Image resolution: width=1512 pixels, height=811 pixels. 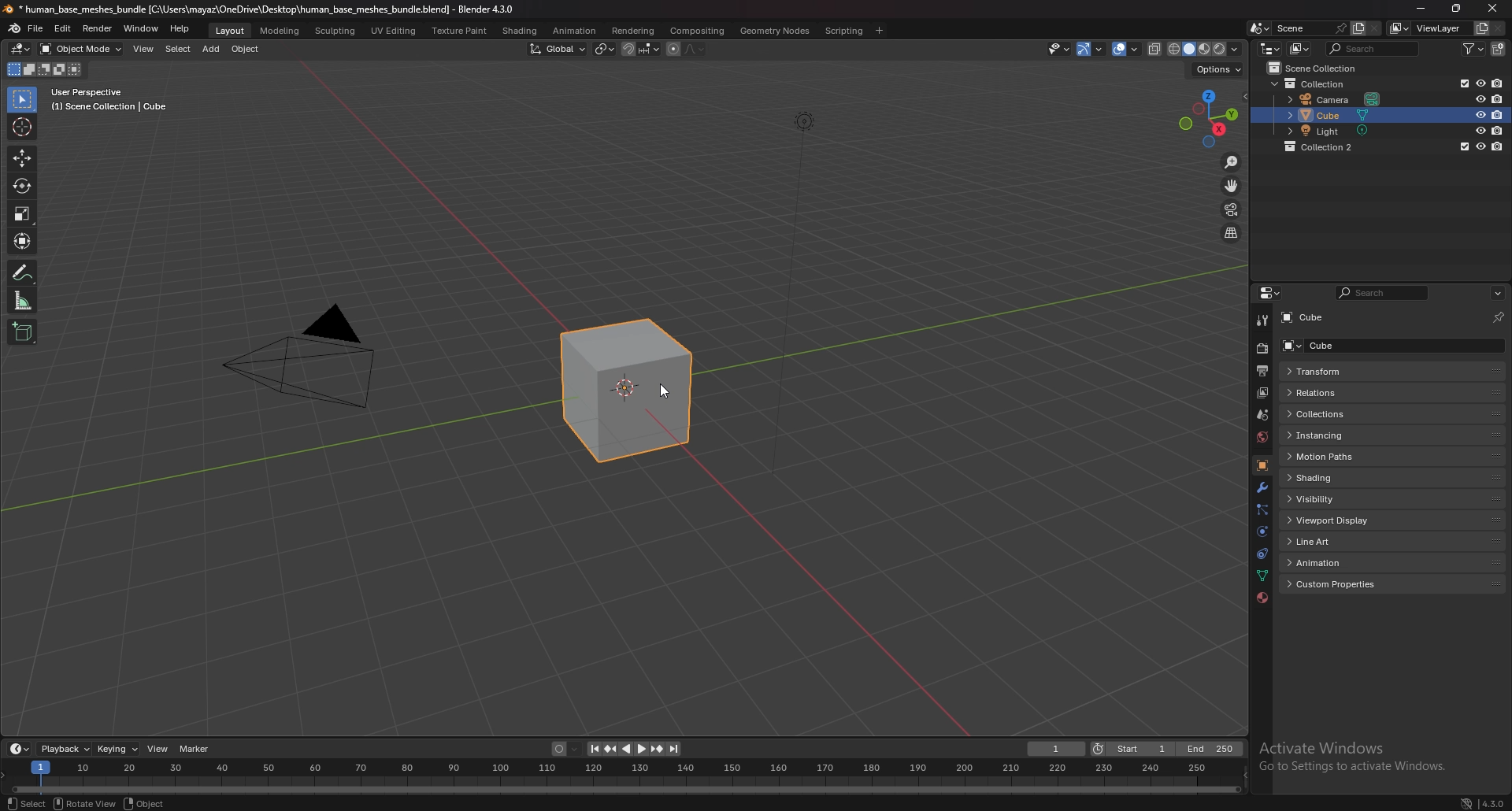 What do you see at coordinates (1495, 802) in the screenshot?
I see `version` at bounding box center [1495, 802].